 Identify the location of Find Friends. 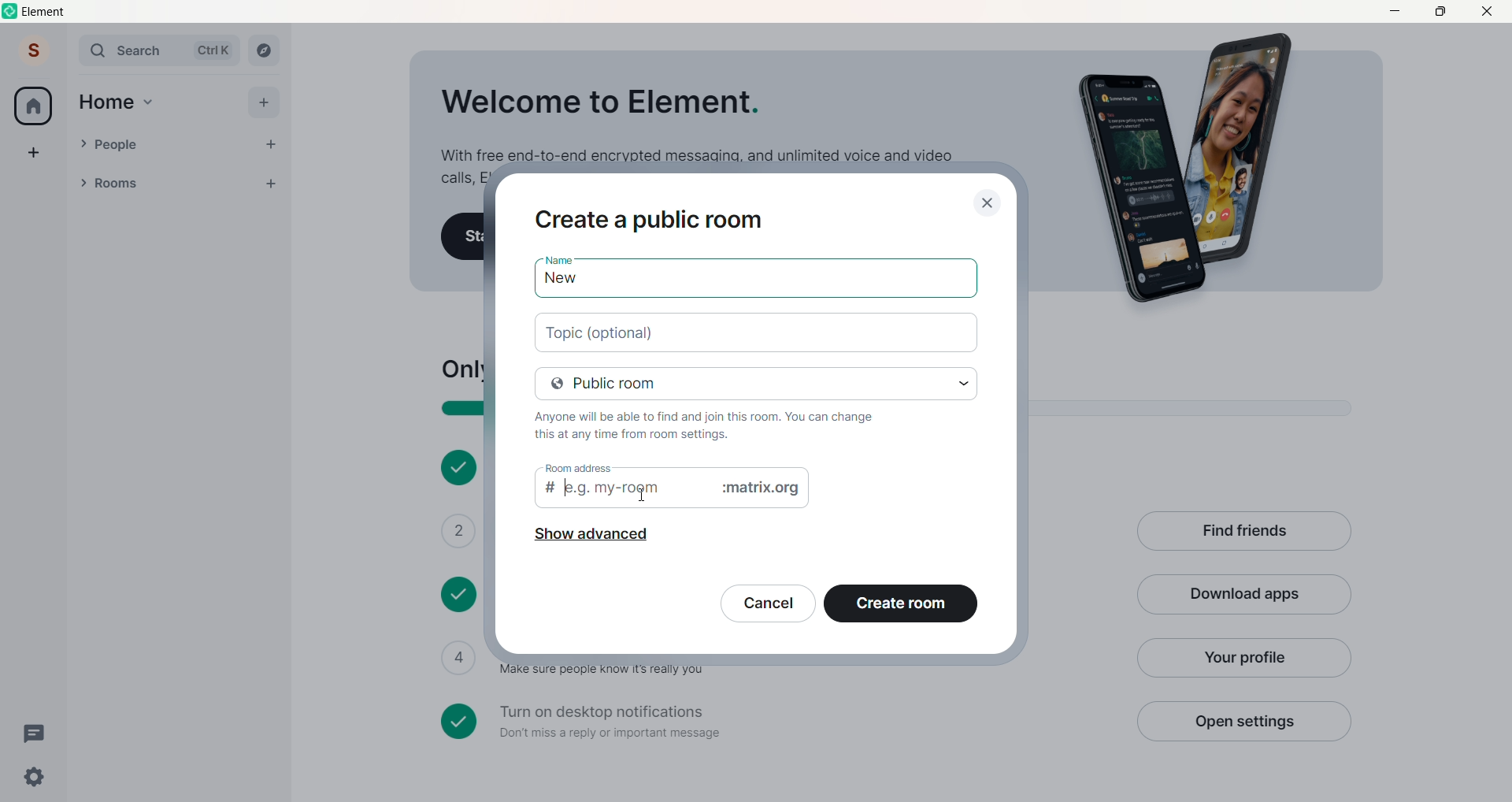
(1243, 533).